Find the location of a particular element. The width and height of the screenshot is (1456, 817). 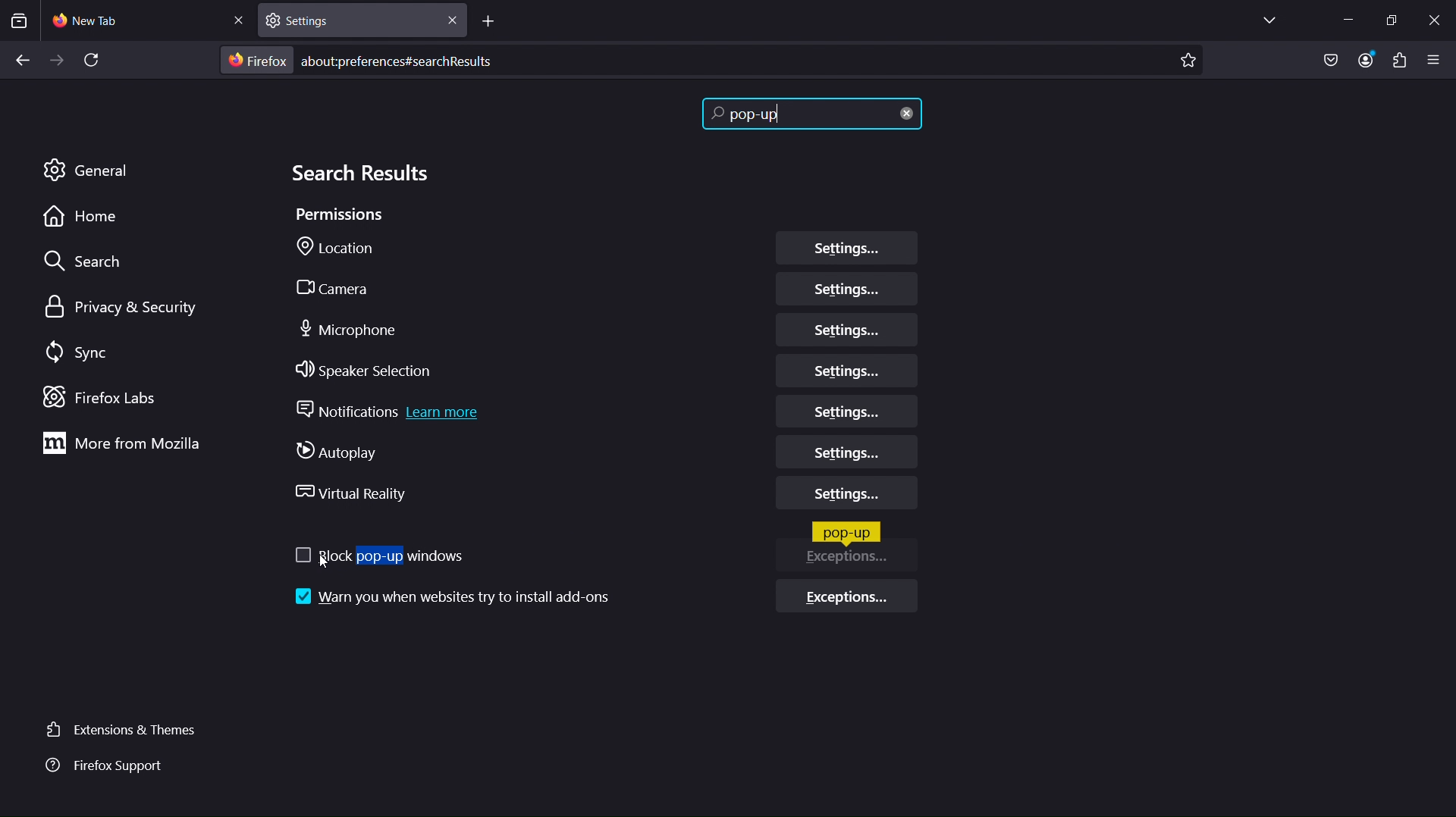

Microphone Settings is located at coordinates (847, 330).